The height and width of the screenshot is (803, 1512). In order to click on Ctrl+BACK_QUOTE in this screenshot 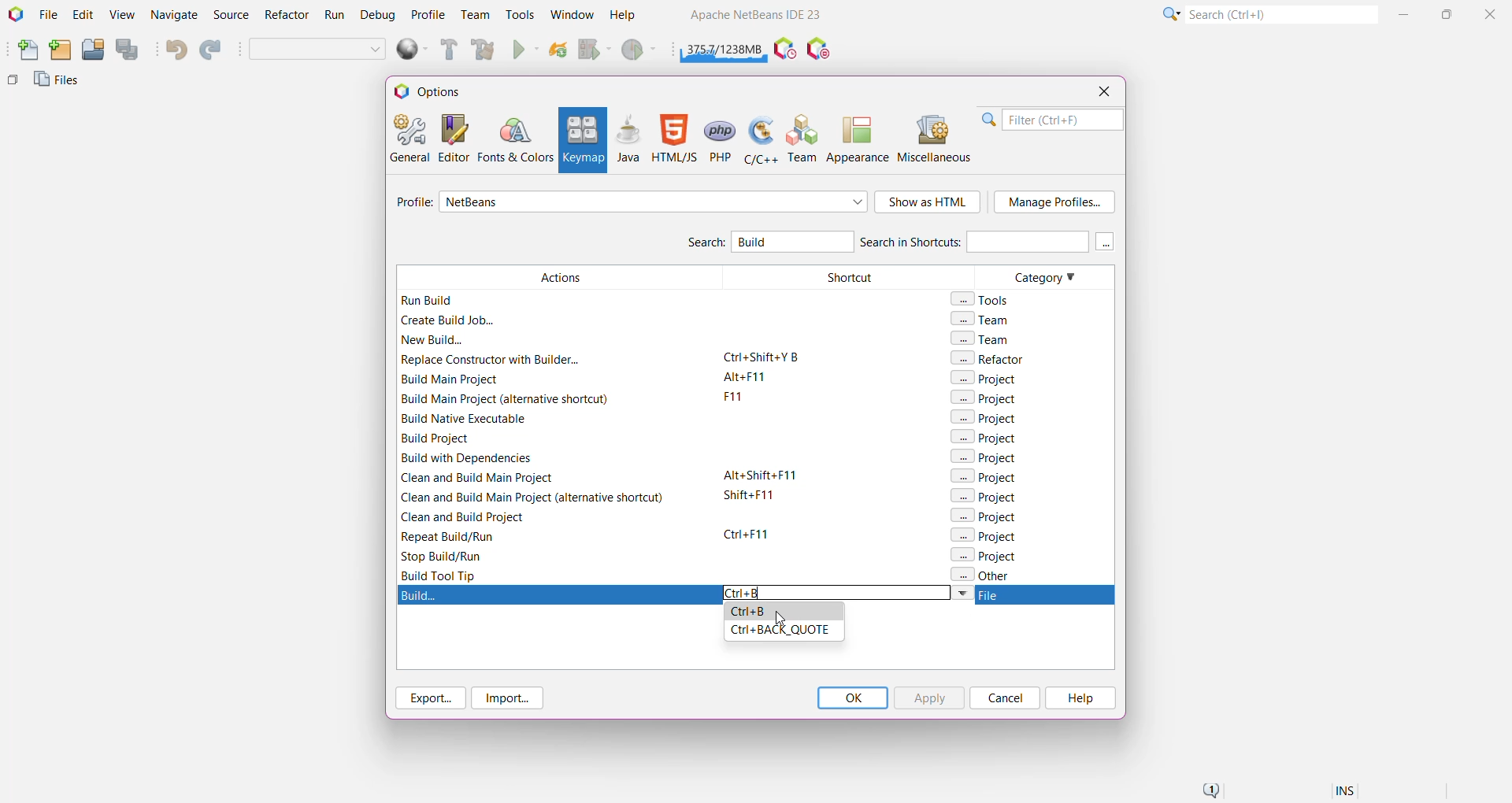, I will do `click(778, 631)`.